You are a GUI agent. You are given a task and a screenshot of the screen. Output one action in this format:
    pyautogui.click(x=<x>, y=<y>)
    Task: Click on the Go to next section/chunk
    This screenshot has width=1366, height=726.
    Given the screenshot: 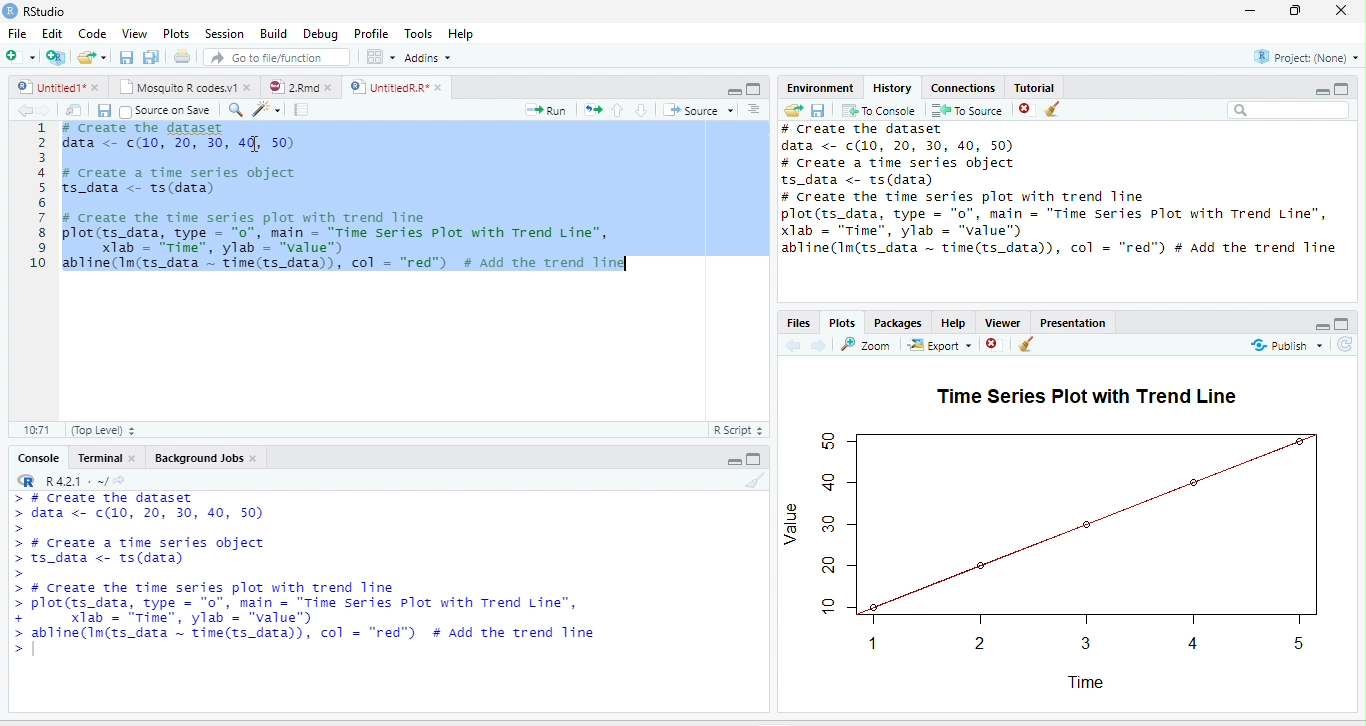 What is the action you would take?
    pyautogui.click(x=641, y=110)
    